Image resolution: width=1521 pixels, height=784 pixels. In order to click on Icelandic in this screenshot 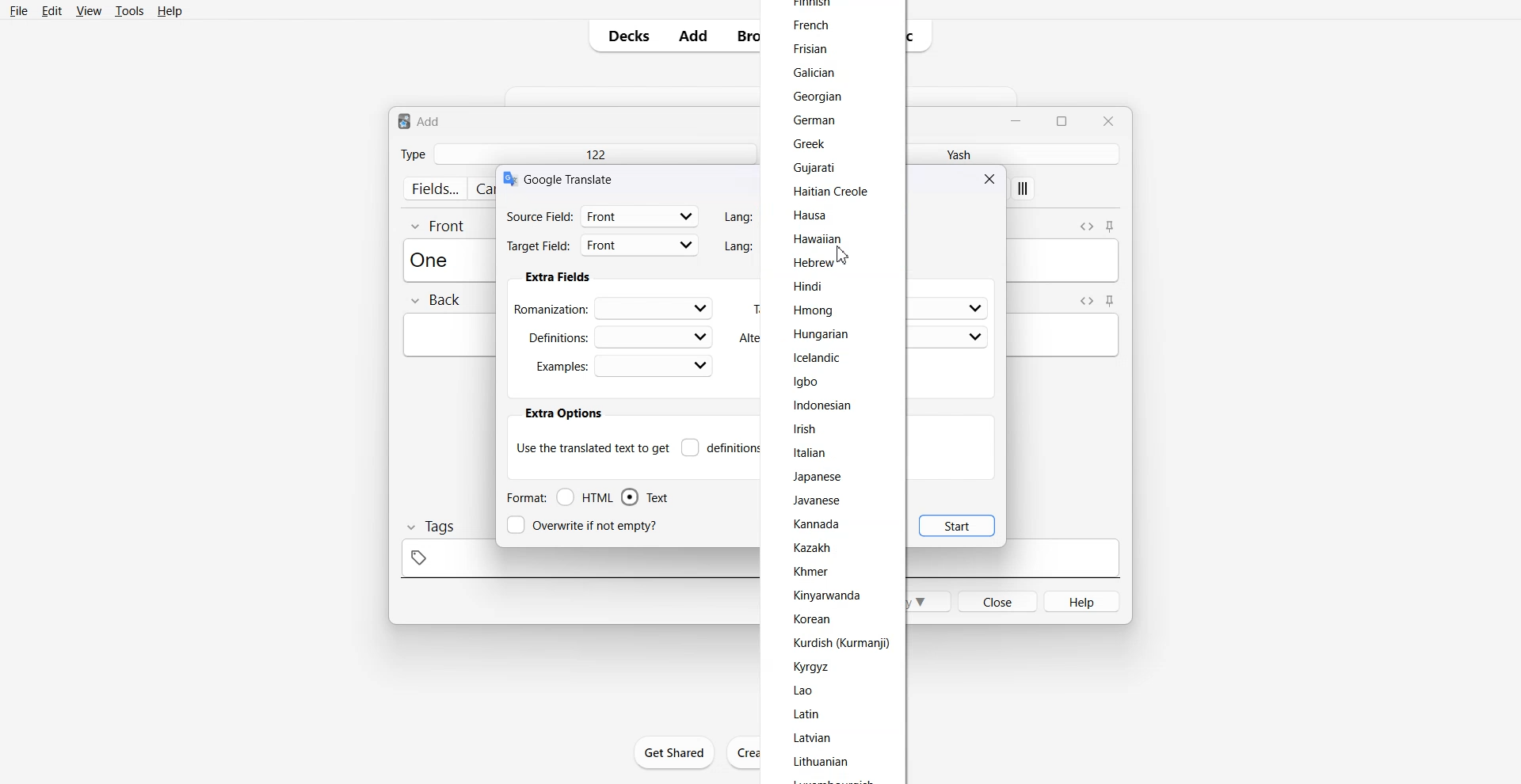, I will do `click(820, 359)`.